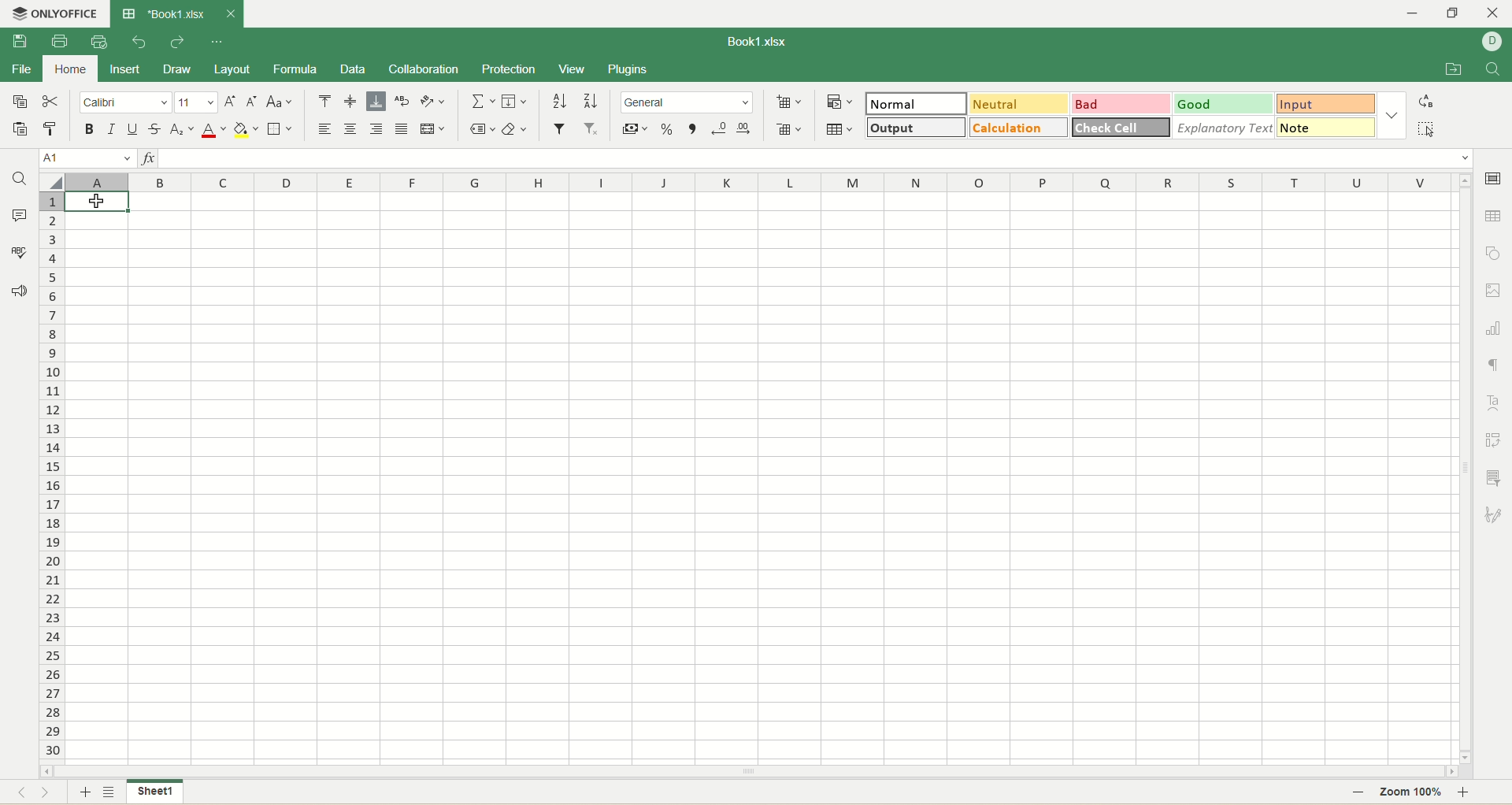  What do you see at coordinates (295, 69) in the screenshot?
I see `formula` at bounding box center [295, 69].